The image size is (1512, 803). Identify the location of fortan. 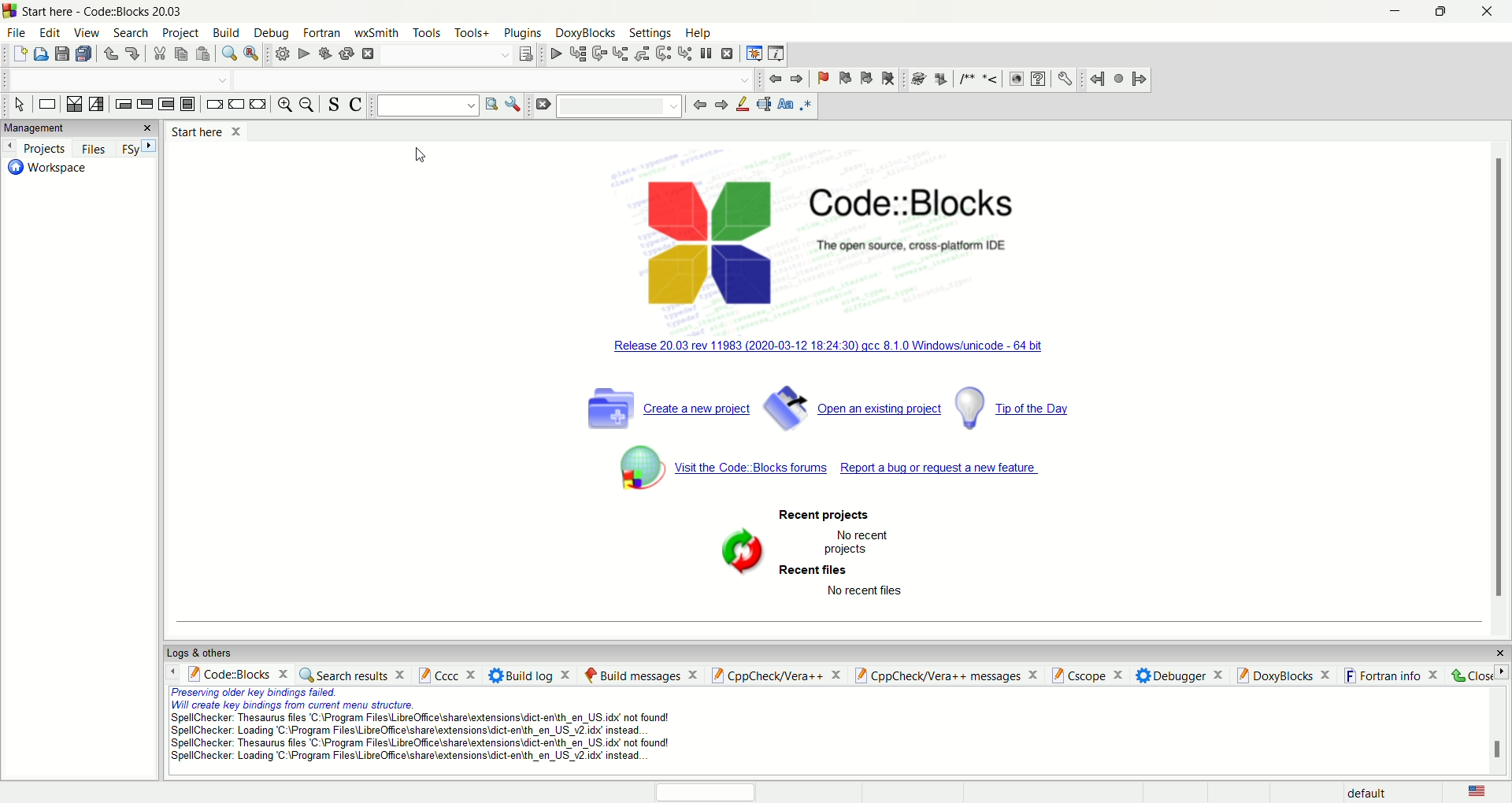
(322, 33).